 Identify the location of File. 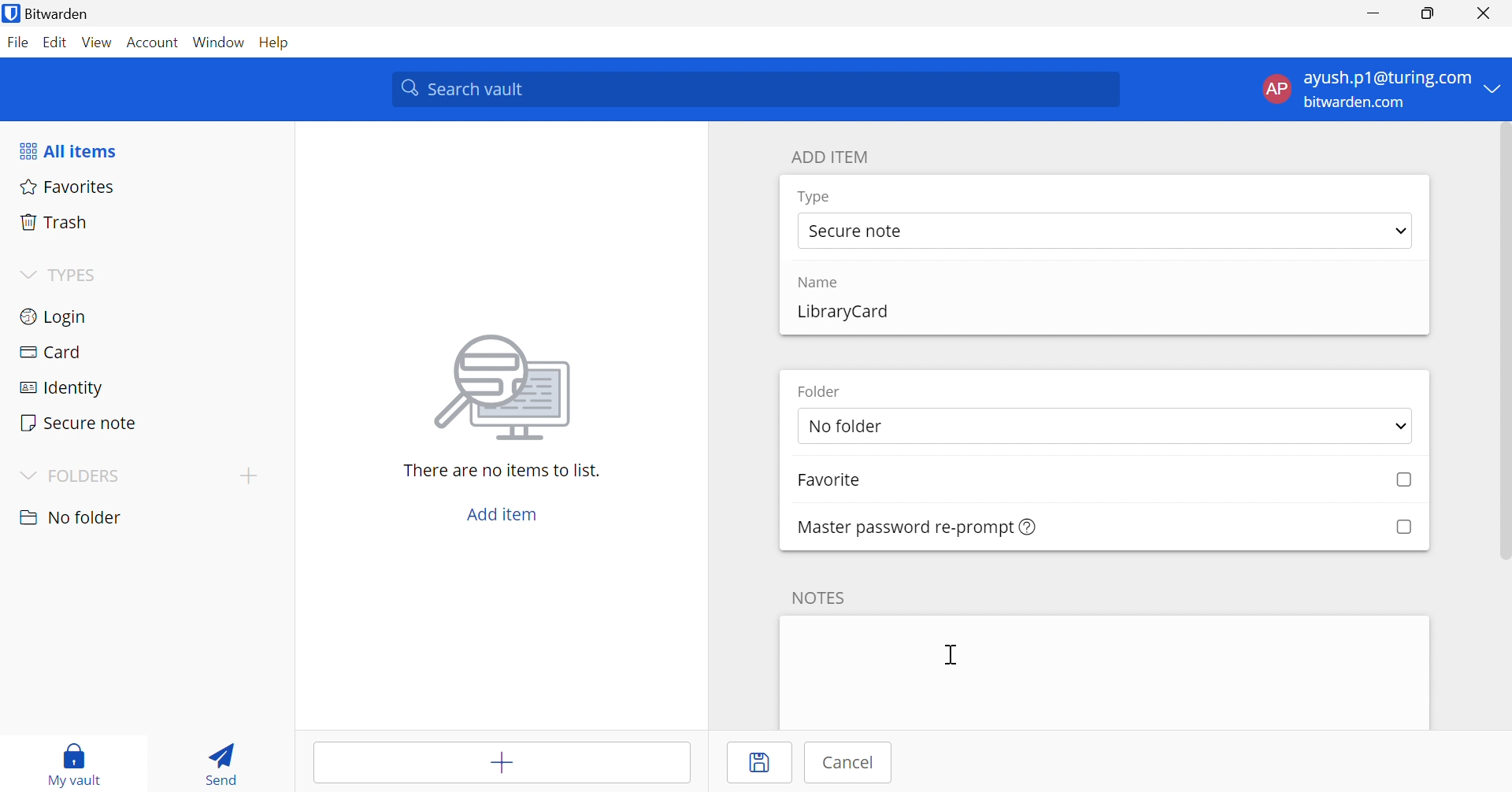
(18, 43).